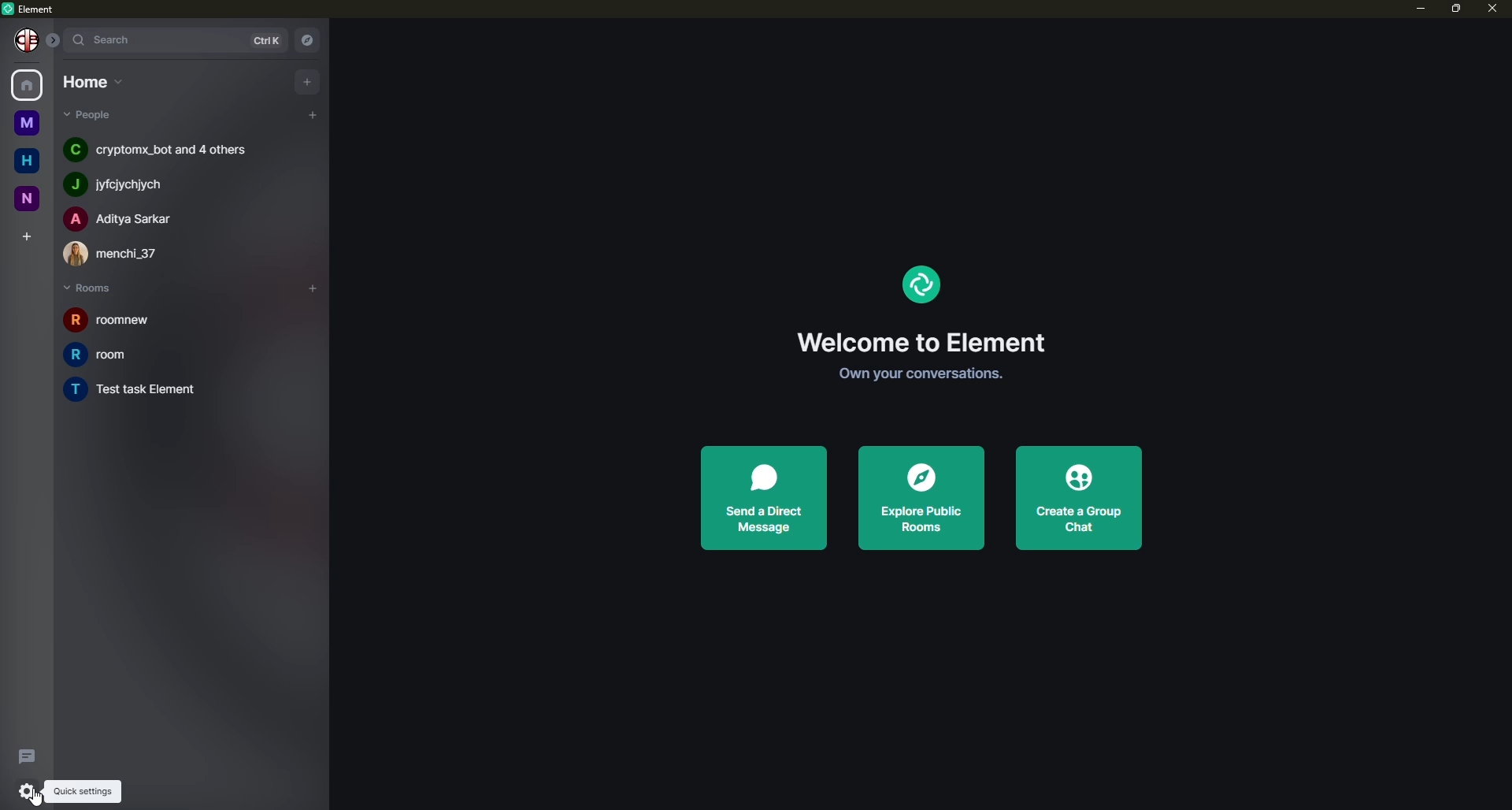 Image resolution: width=1512 pixels, height=810 pixels. I want to click on people, so click(157, 149).